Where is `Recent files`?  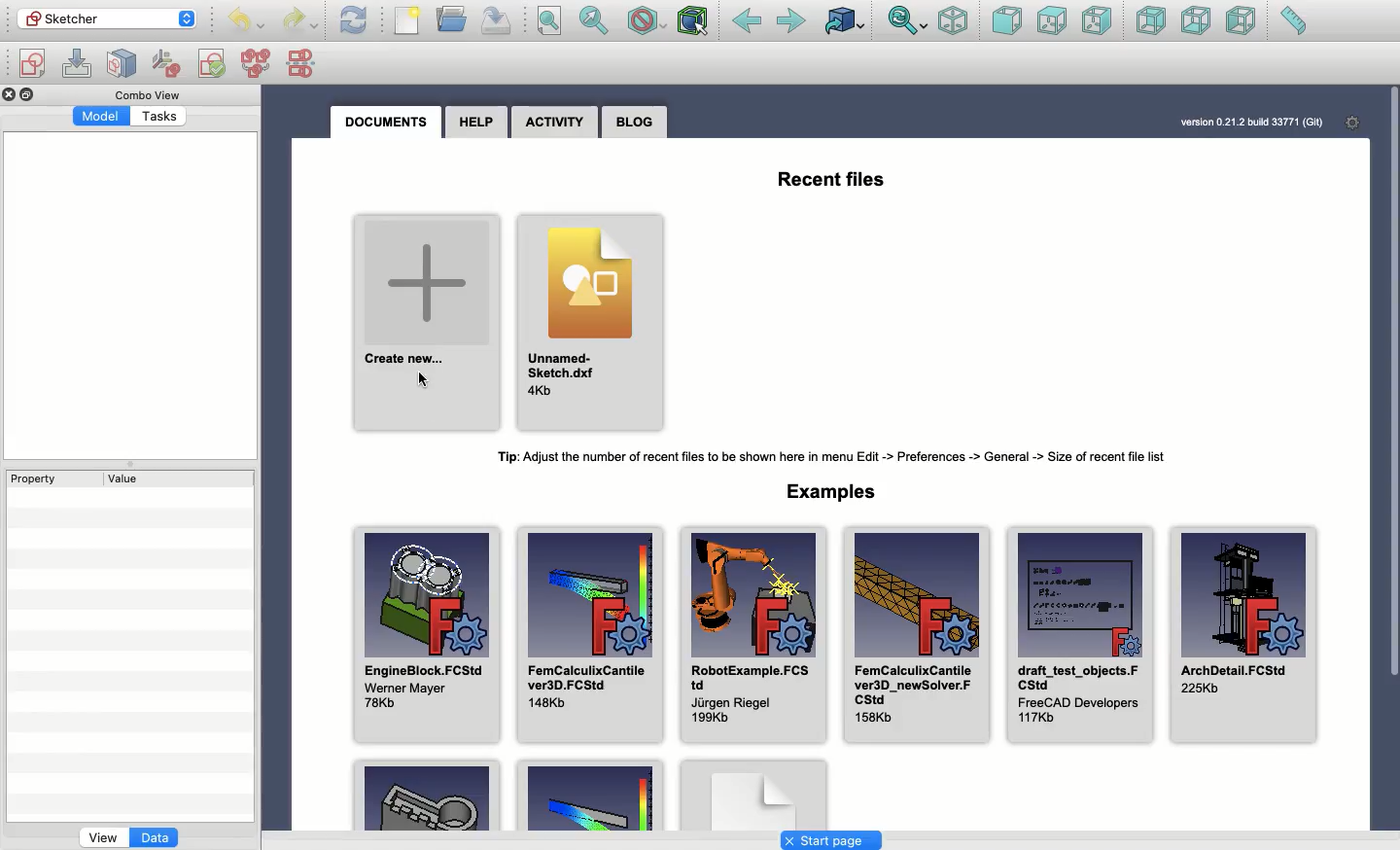
Recent files is located at coordinates (829, 179).